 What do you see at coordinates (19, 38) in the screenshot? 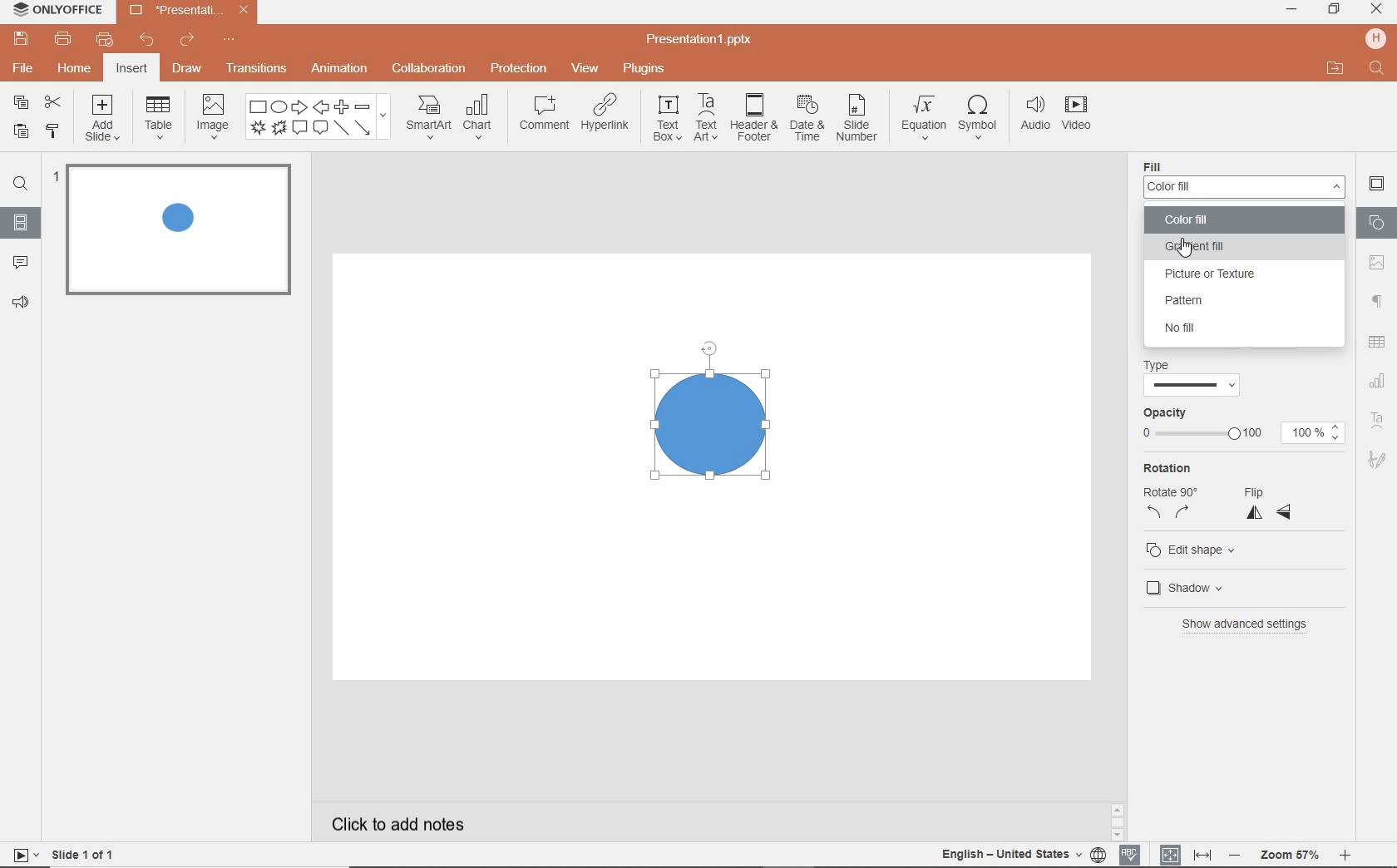
I see `save` at bounding box center [19, 38].